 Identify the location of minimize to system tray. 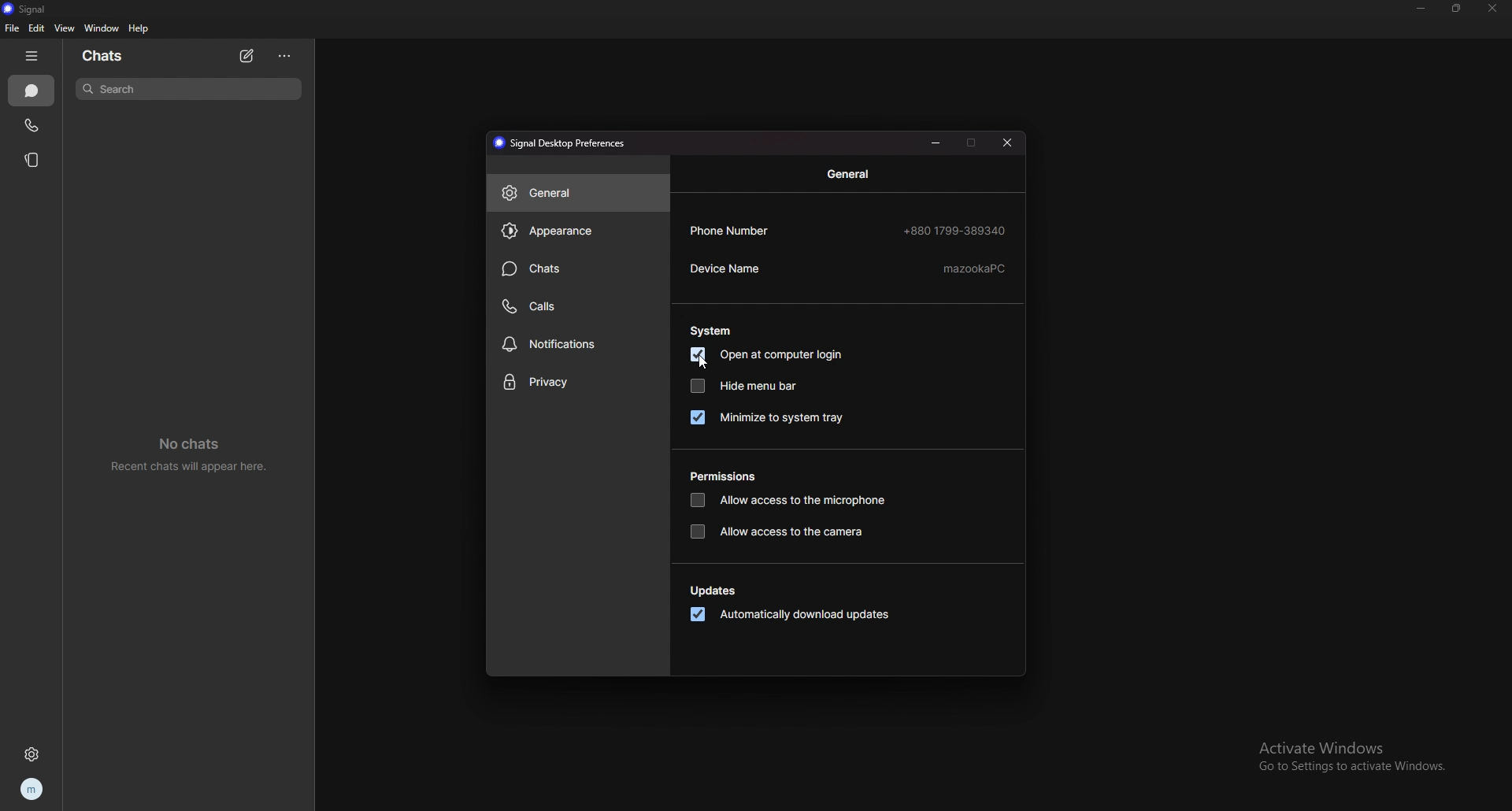
(767, 417).